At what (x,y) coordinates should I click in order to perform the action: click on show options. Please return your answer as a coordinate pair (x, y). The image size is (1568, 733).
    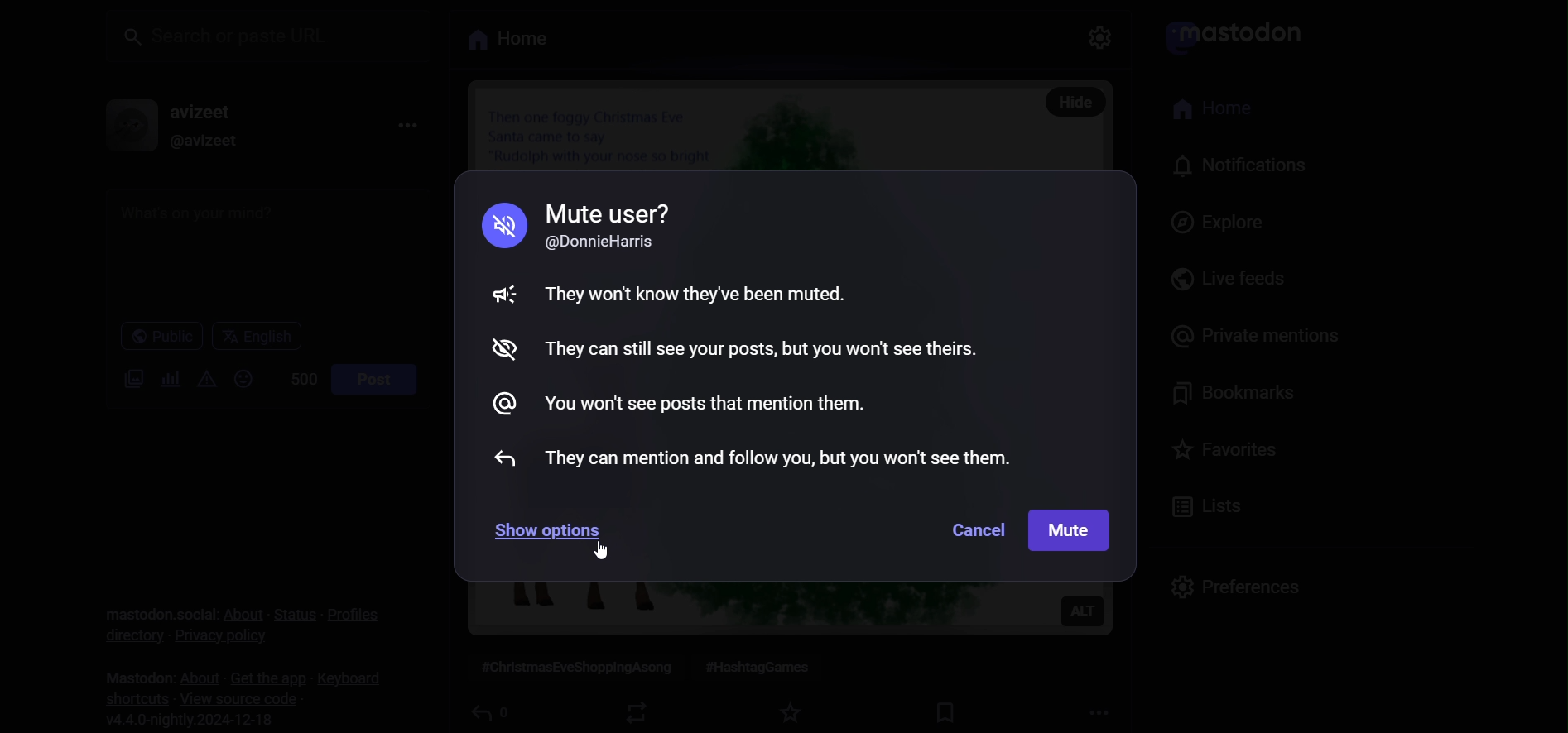
    Looking at the image, I should click on (545, 525).